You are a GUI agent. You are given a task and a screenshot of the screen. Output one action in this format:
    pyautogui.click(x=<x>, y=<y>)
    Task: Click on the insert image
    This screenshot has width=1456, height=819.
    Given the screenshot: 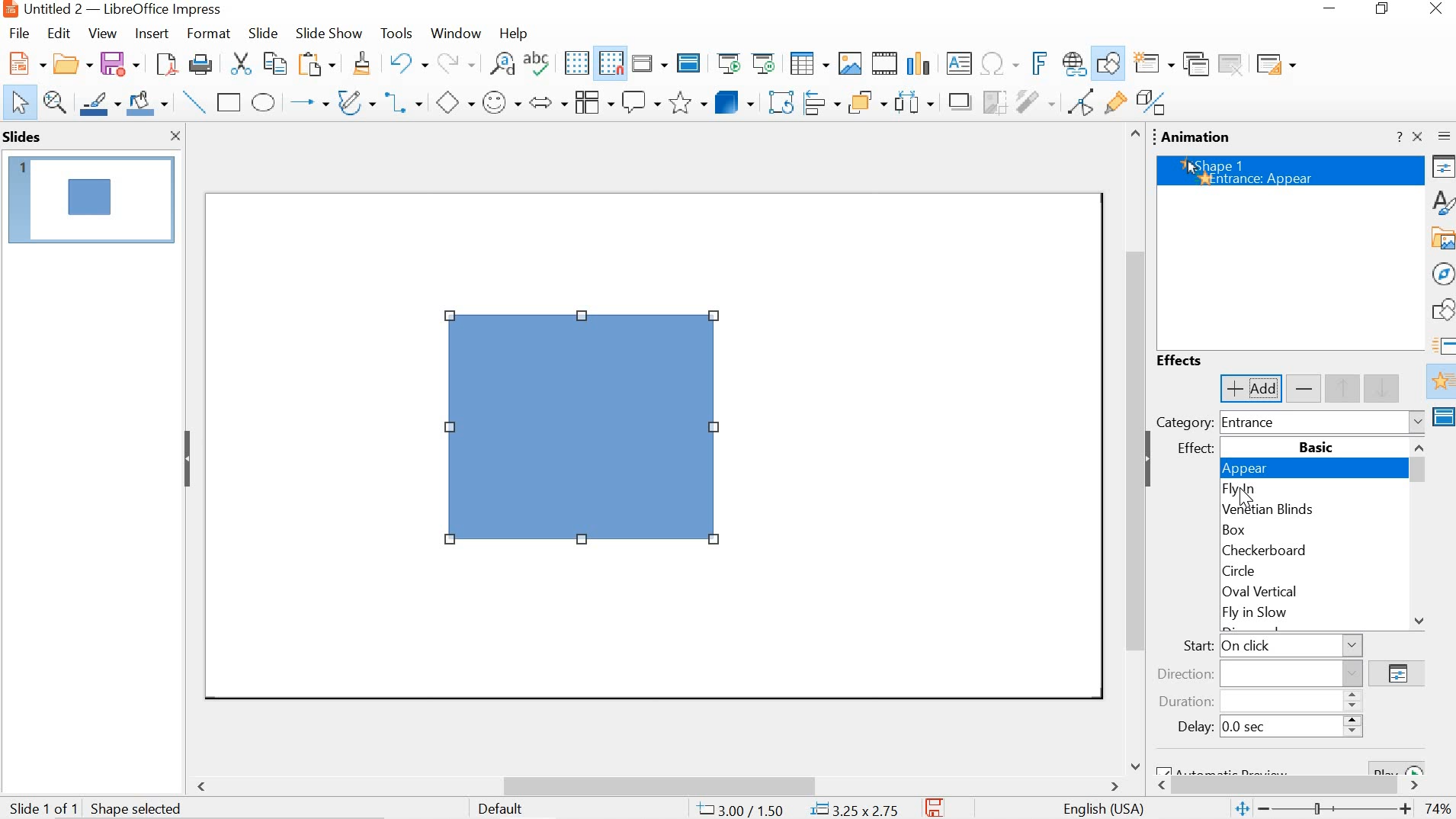 What is the action you would take?
    pyautogui.click(x=849, y=62)
    